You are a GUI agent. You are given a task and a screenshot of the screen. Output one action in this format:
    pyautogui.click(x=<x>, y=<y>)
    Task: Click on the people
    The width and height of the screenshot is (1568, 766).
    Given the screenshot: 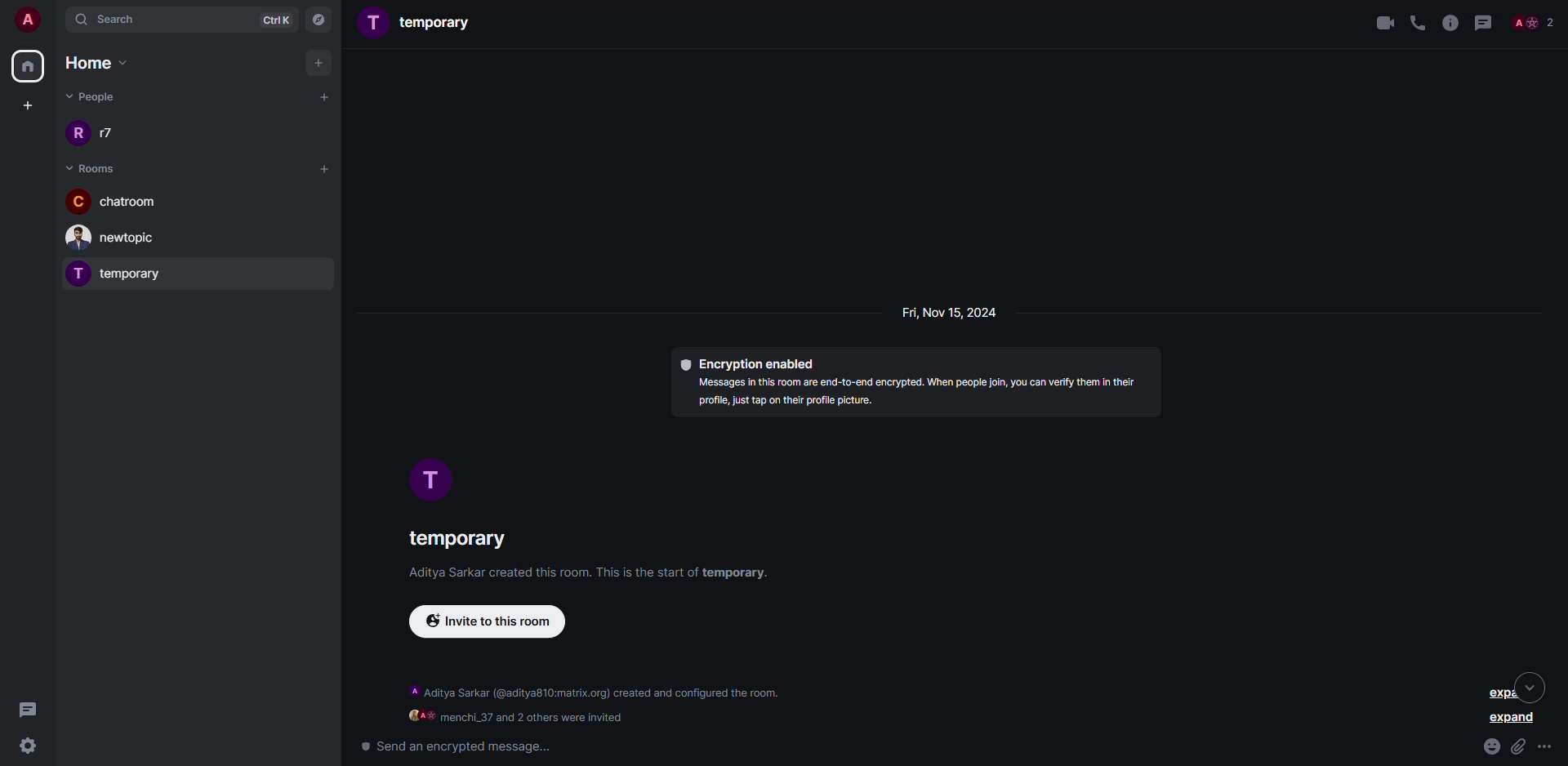 What is the action you would take?
    pyautogui.click(x=96, y=99)
    